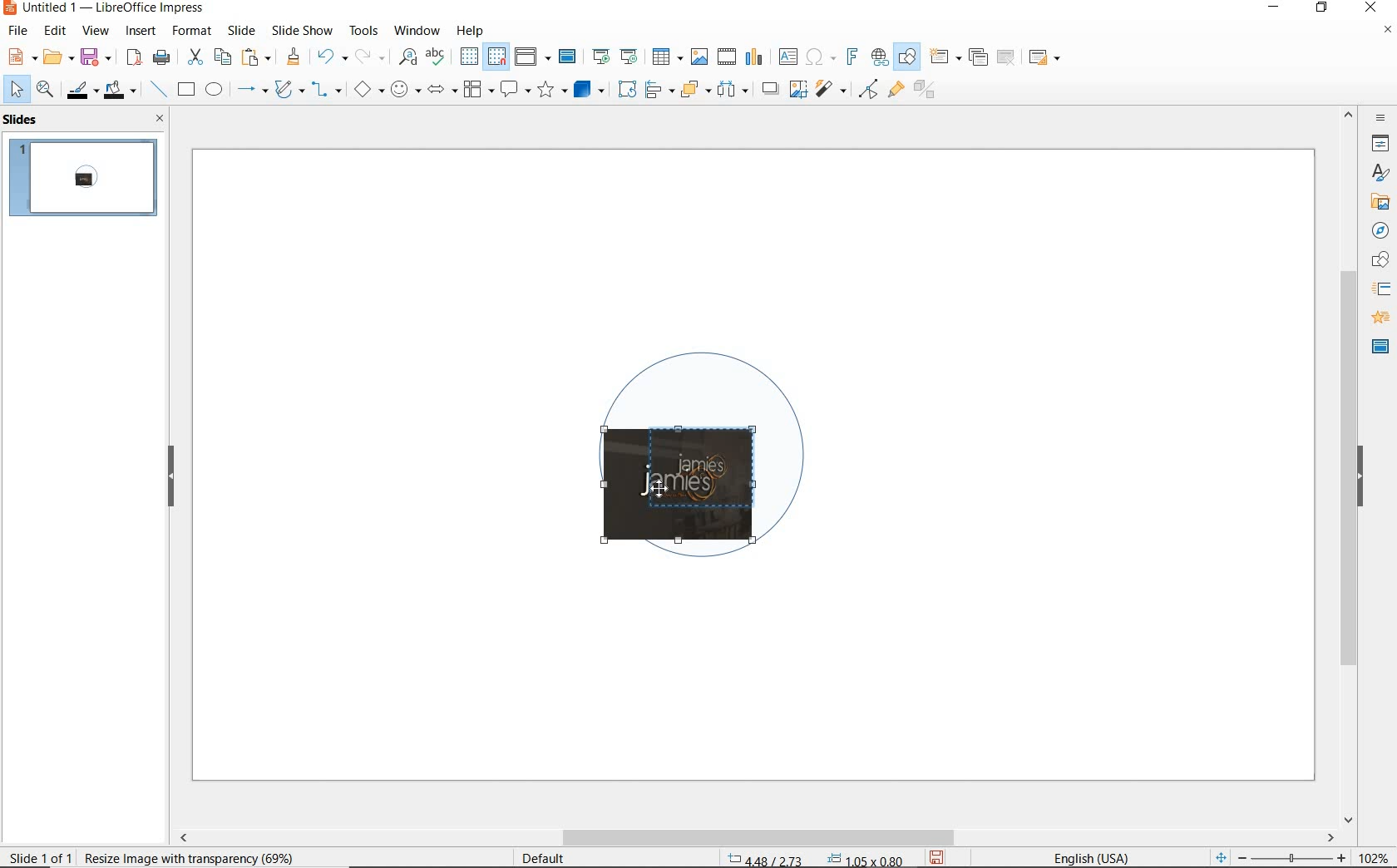  I want to click on slide transition, so click(1380, 289).